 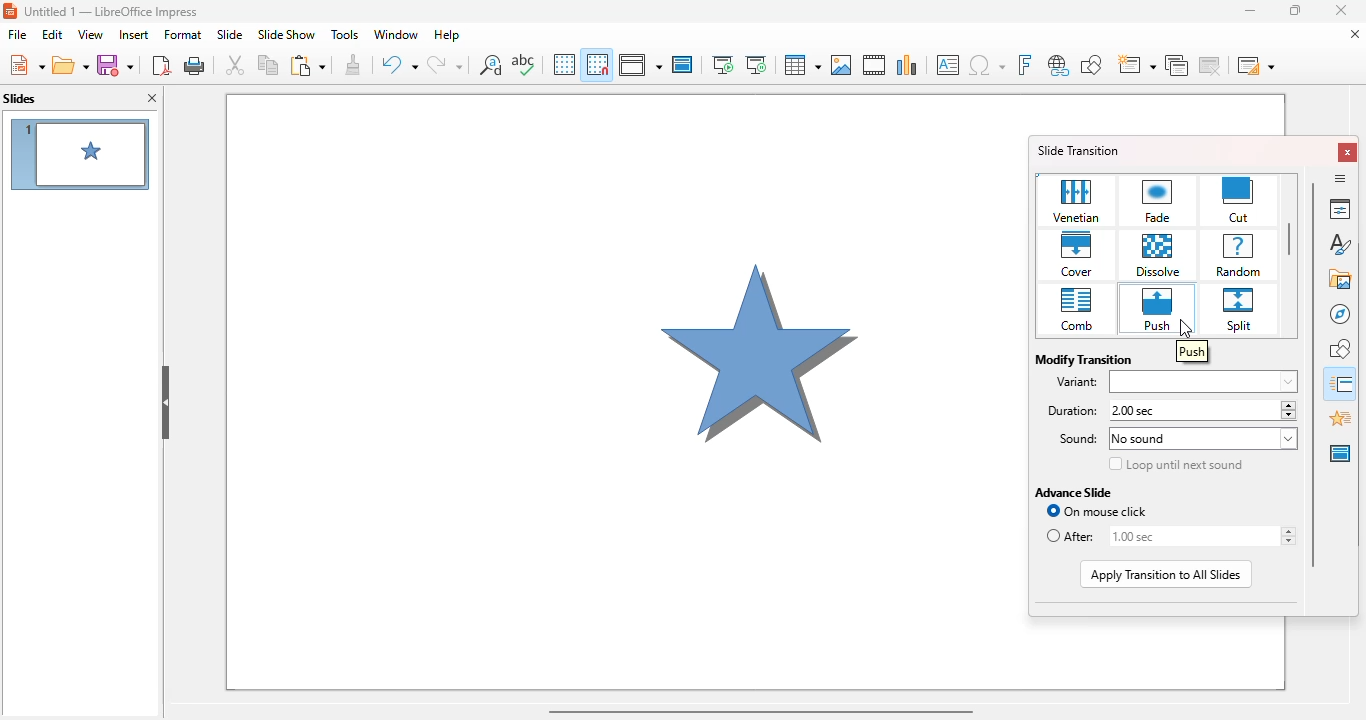 I want to click on after, so click(x=1071, y=537).